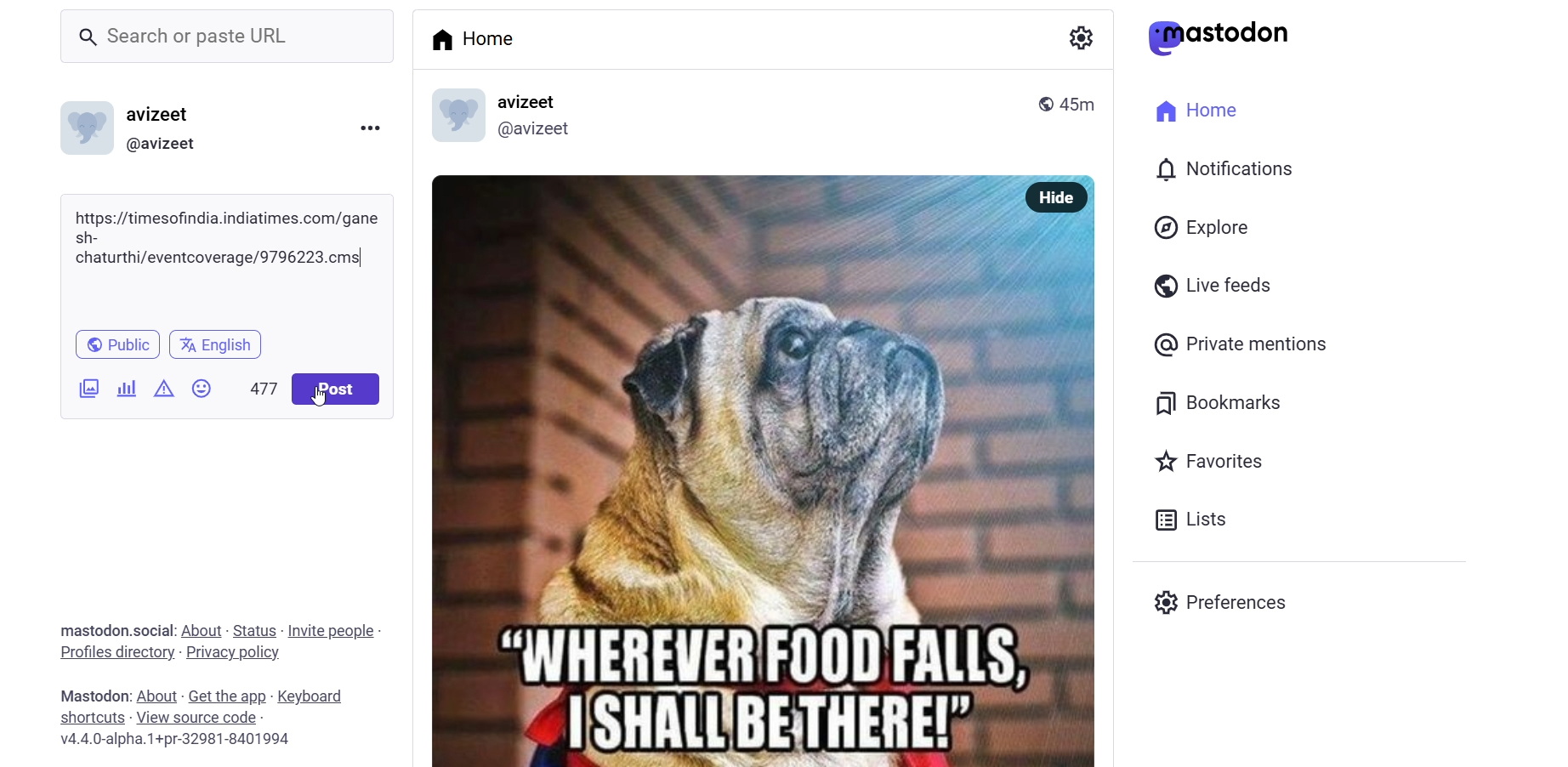 This screenshot has width=1568, height=767. Describe the element at coordinates (1249, 287) in the screenshot. I see `Live feeds` at that location.